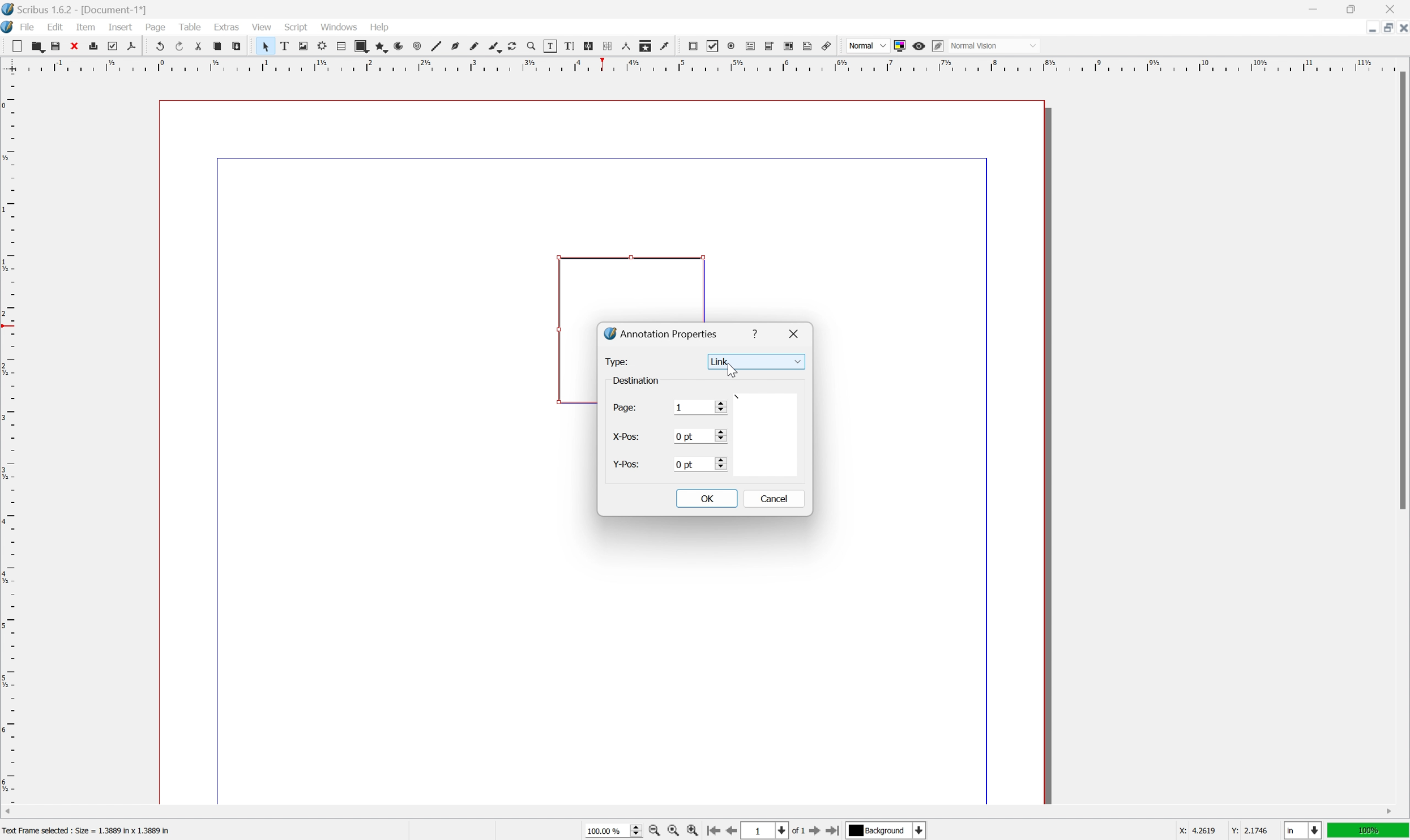  What do you see at coordinates (729, 830) in the screenshot?
I see `go to previous page` at bounding box center [729, 830].